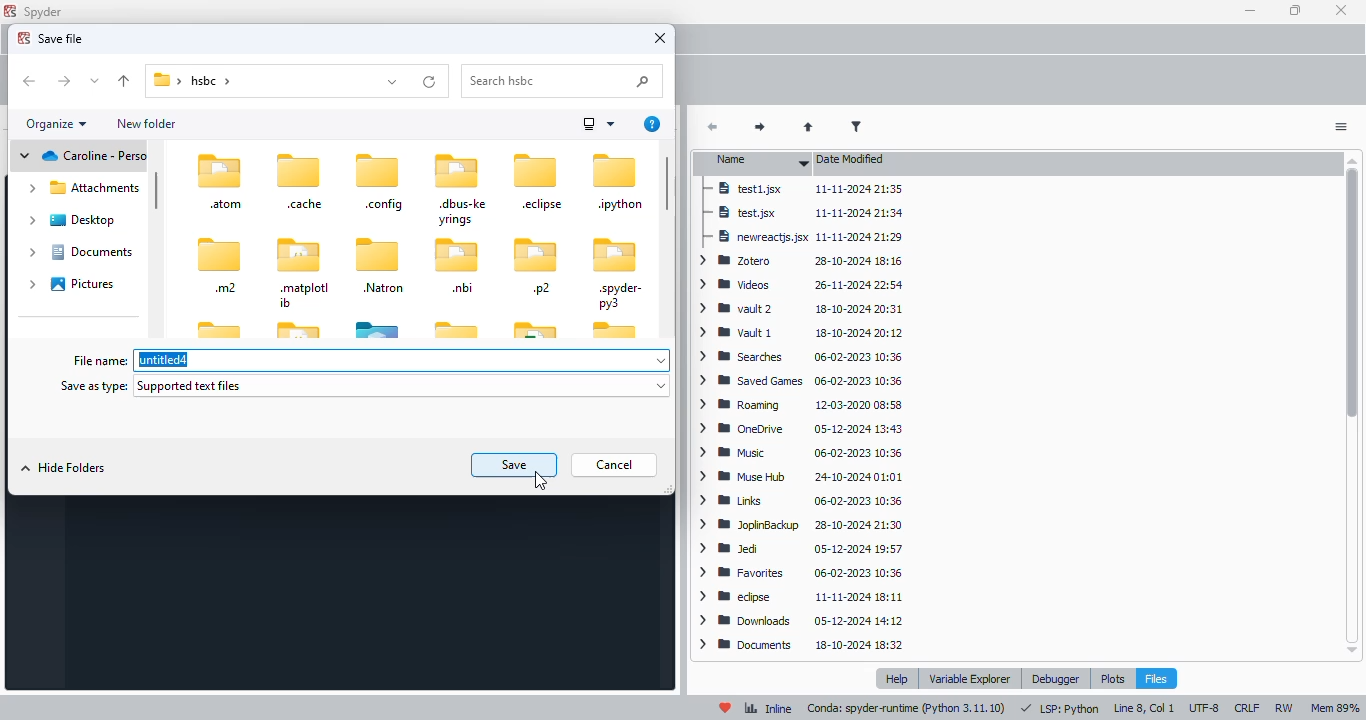 This screenshot has height=720, width=1366. I want to click on up to "desktop", so click(124, 81).